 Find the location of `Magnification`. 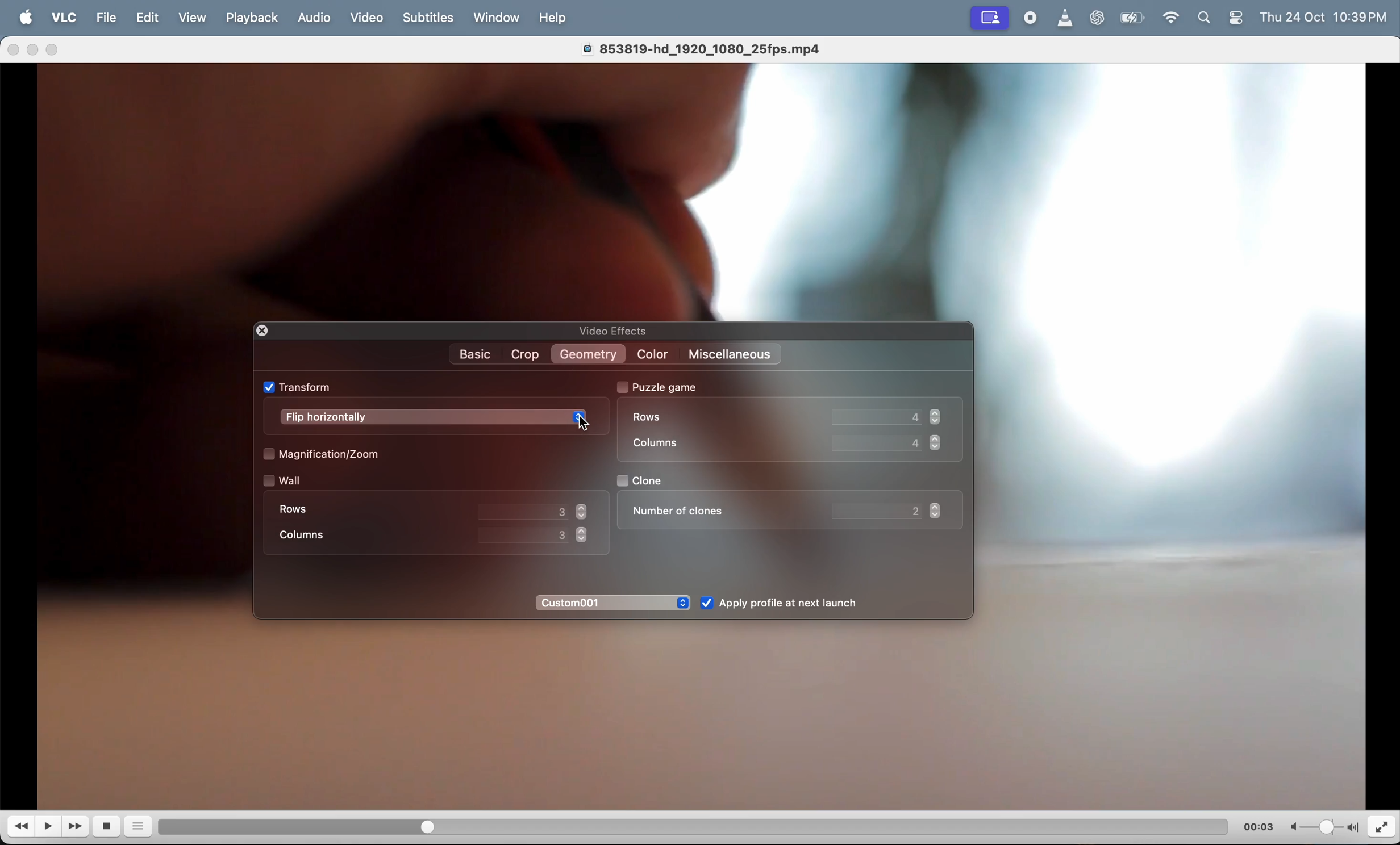

Magnification is located at coordinates (331, 454).